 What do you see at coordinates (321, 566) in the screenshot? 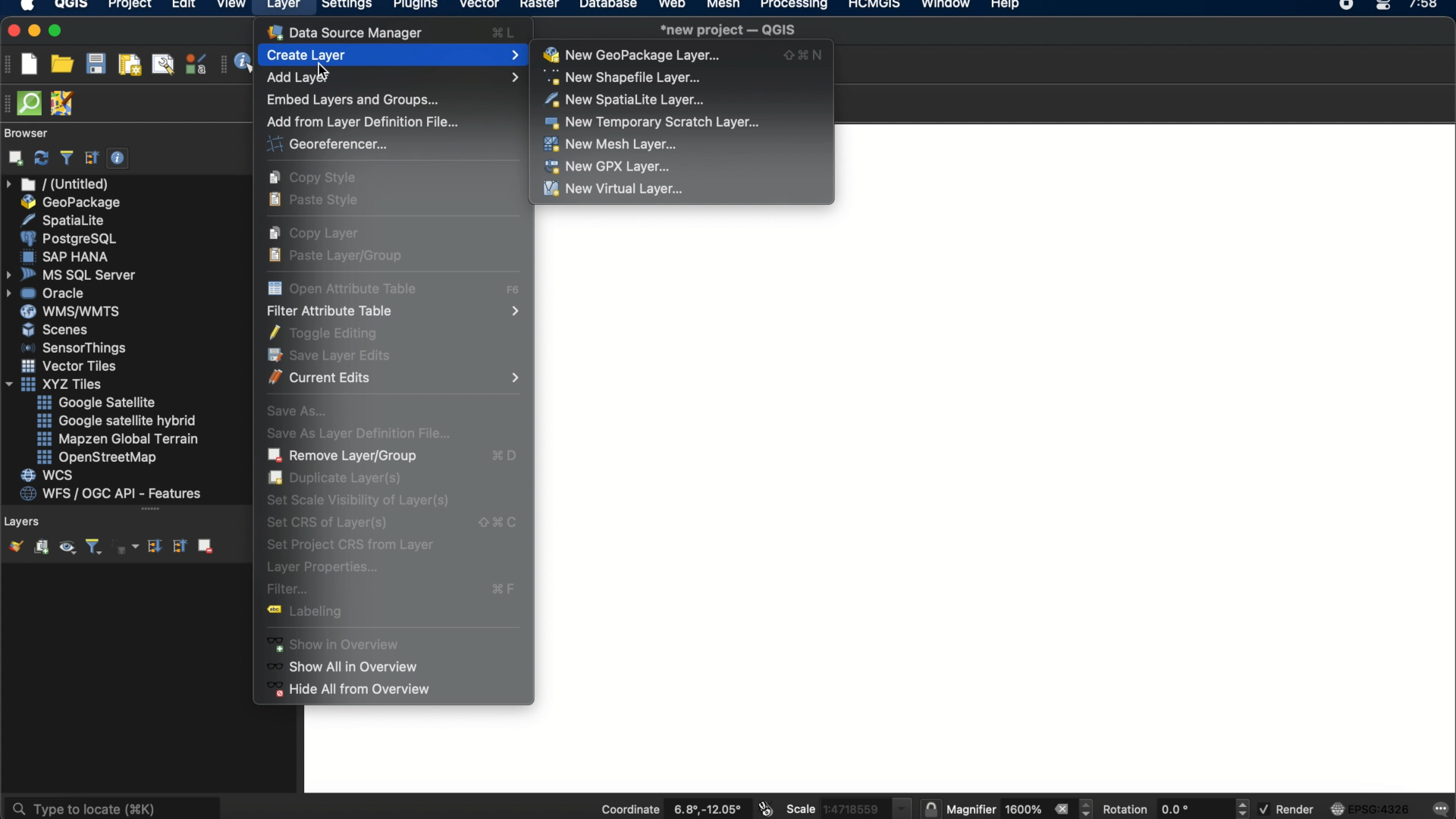
I see `layer properties` at bounding box center [321, 566].